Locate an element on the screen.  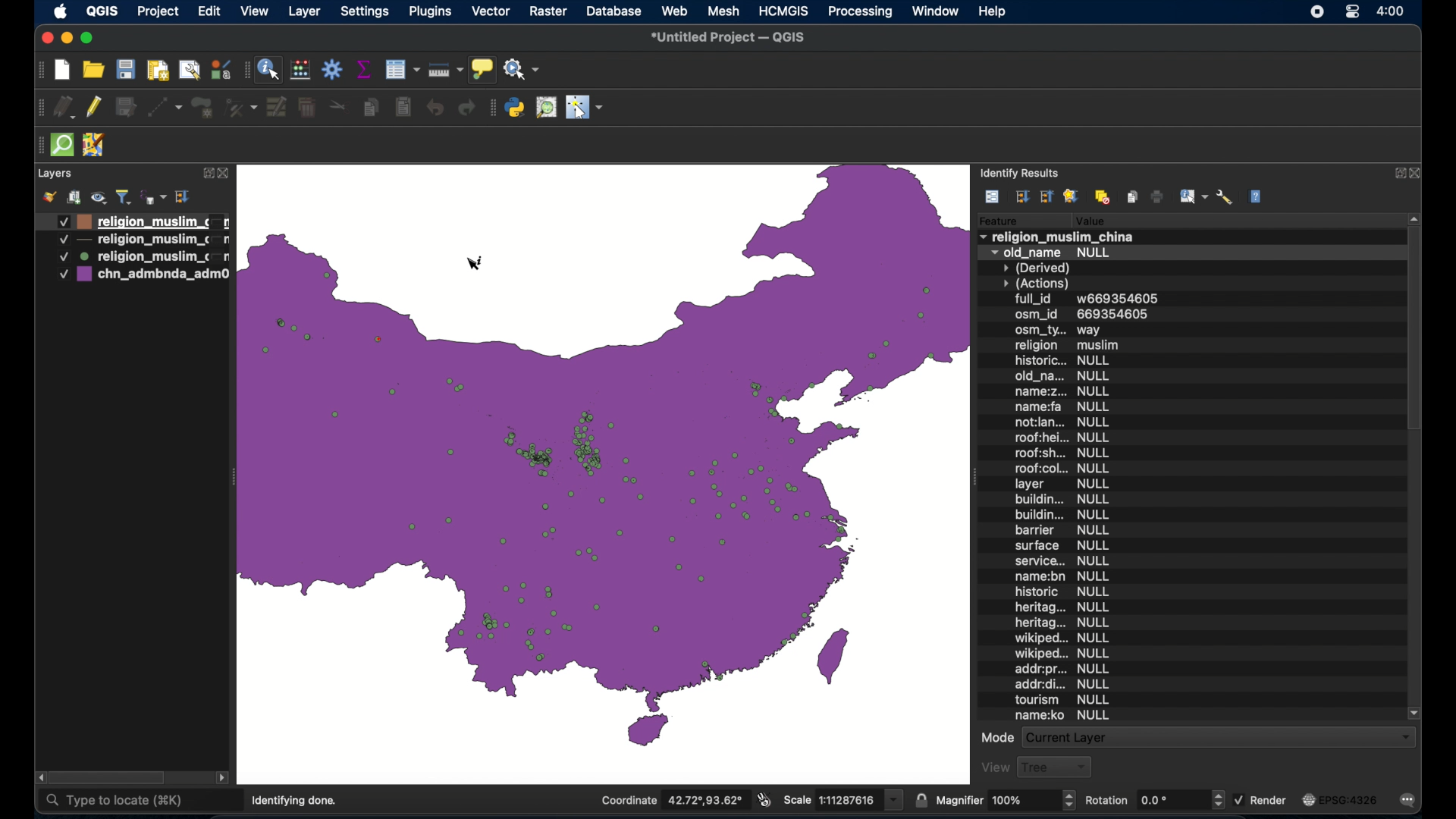
not is located at coordinates (1059, 421).